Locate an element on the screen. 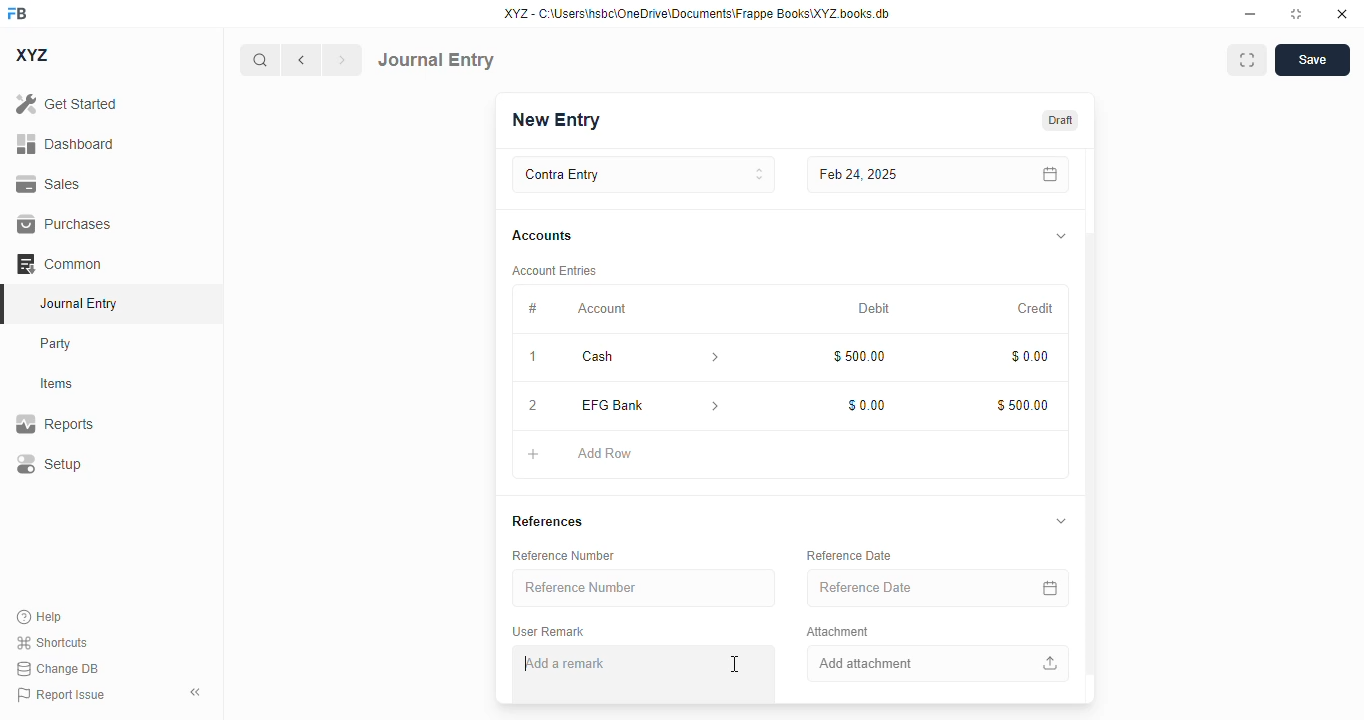 The height and width of the screenshot is (720, 1364). account entries is located at coordinates (553, 271).